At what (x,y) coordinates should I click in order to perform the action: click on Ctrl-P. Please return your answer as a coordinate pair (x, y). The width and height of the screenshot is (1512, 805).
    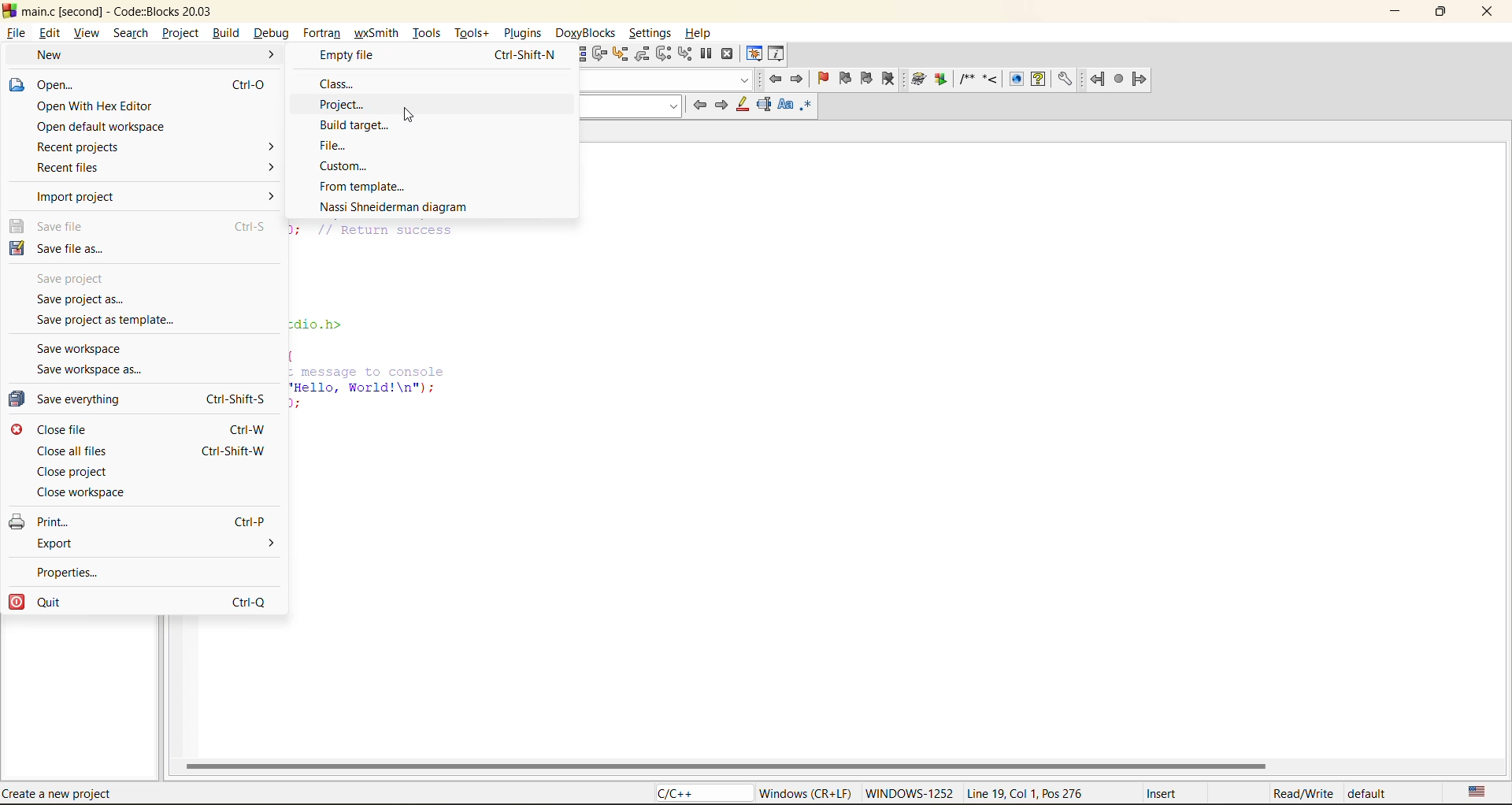
    Looking at the image, I should click on (247, 520).